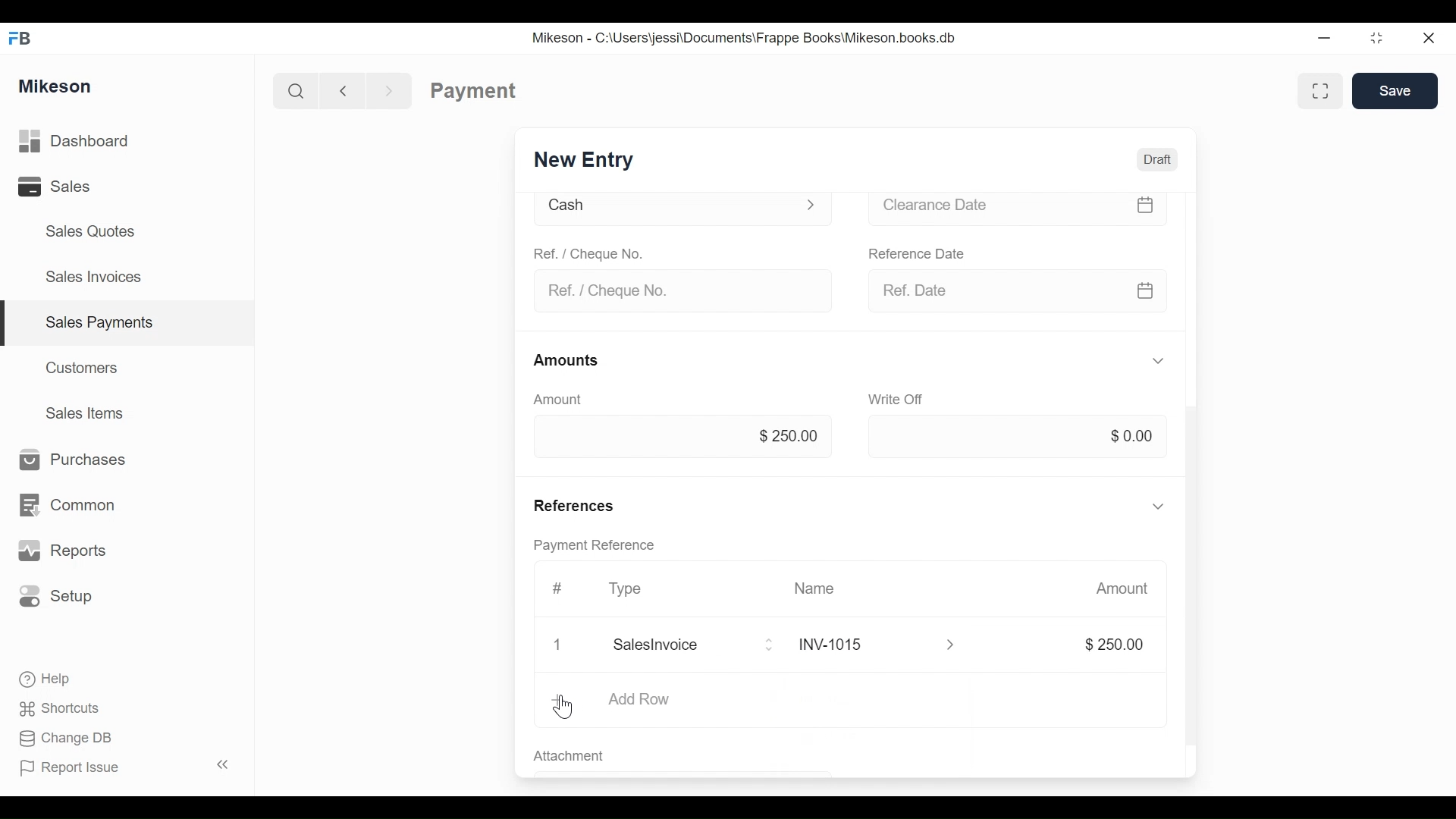 This screenshot has width=1456, height=819. I want to click on New Entry, so click(583, 158).